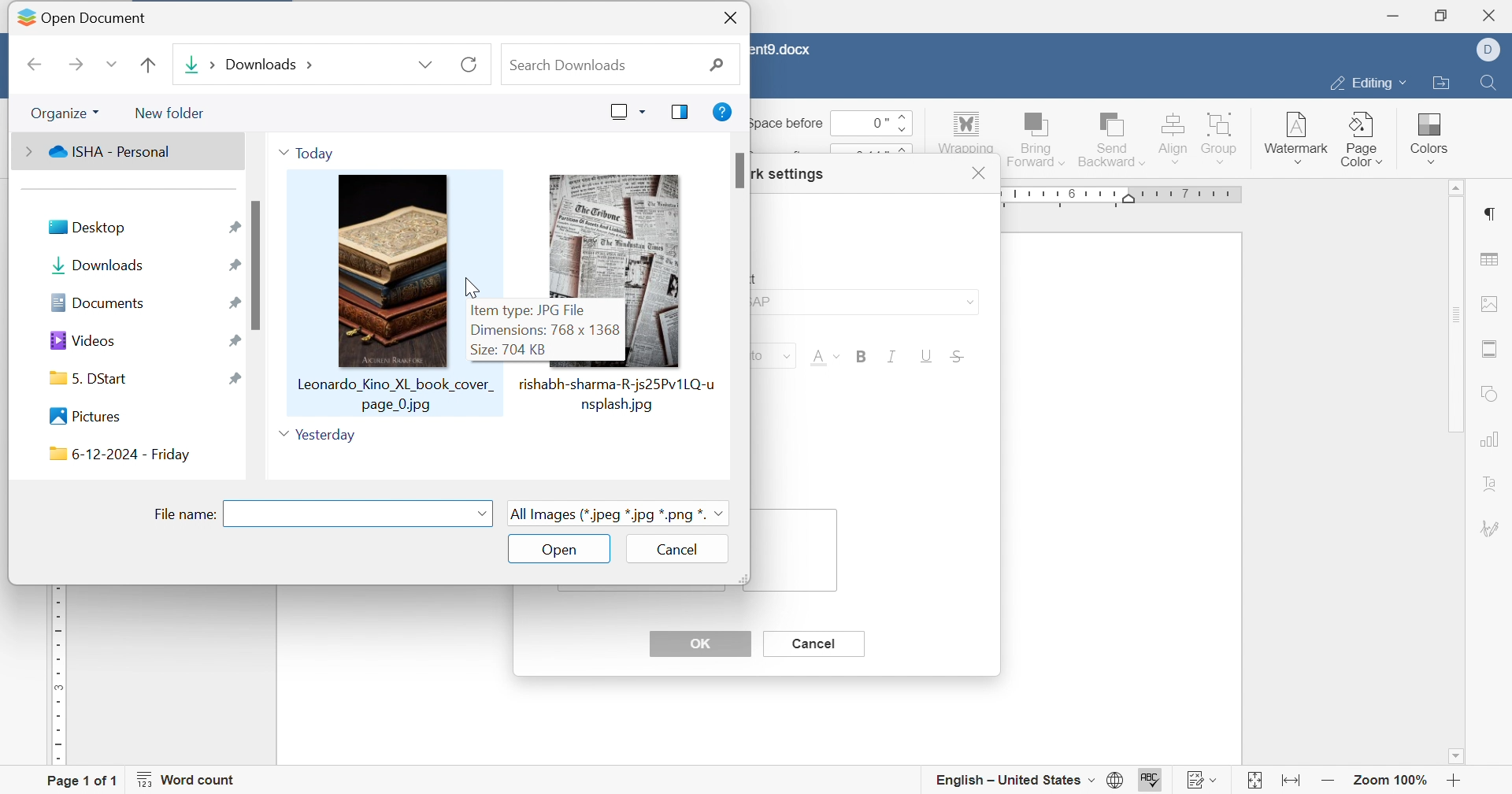  What do you see at coordinates (683, 550) in the screenshot?
I see `cancel` at bounding box center [683, 550].